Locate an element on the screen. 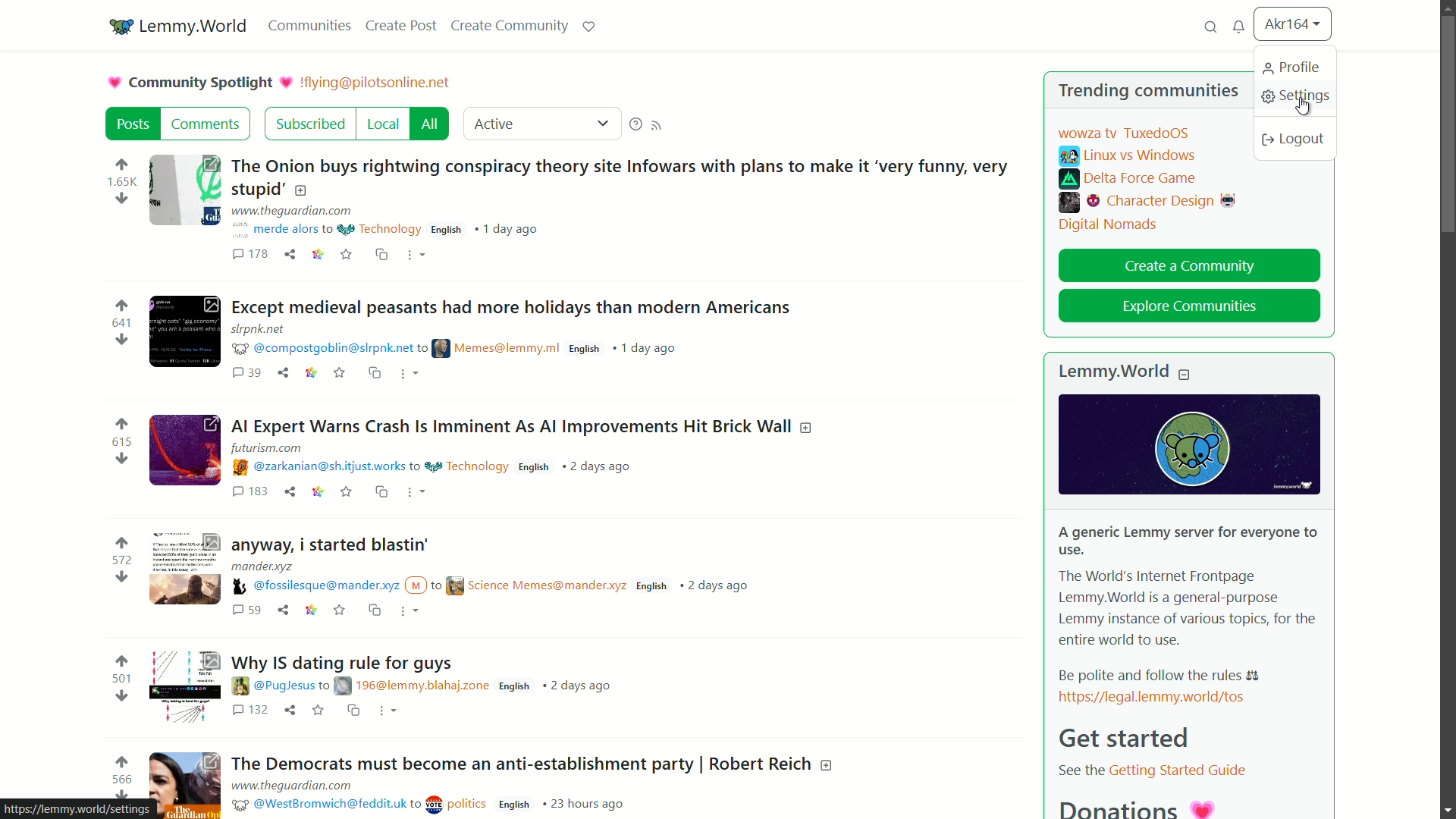  comments is located at coordinates (246, 372).